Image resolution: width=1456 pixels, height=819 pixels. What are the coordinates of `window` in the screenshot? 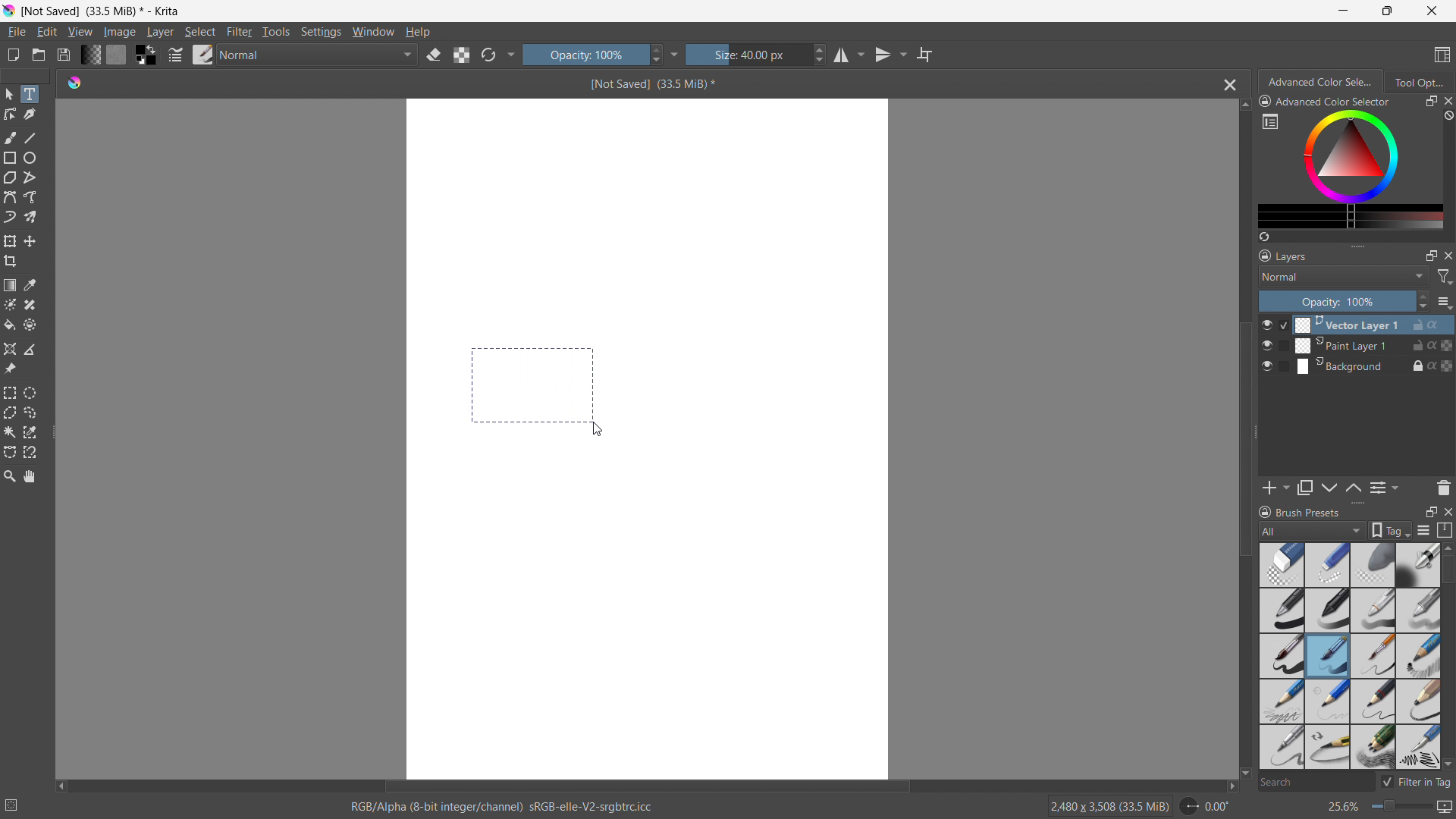 It's located at (373, 32).